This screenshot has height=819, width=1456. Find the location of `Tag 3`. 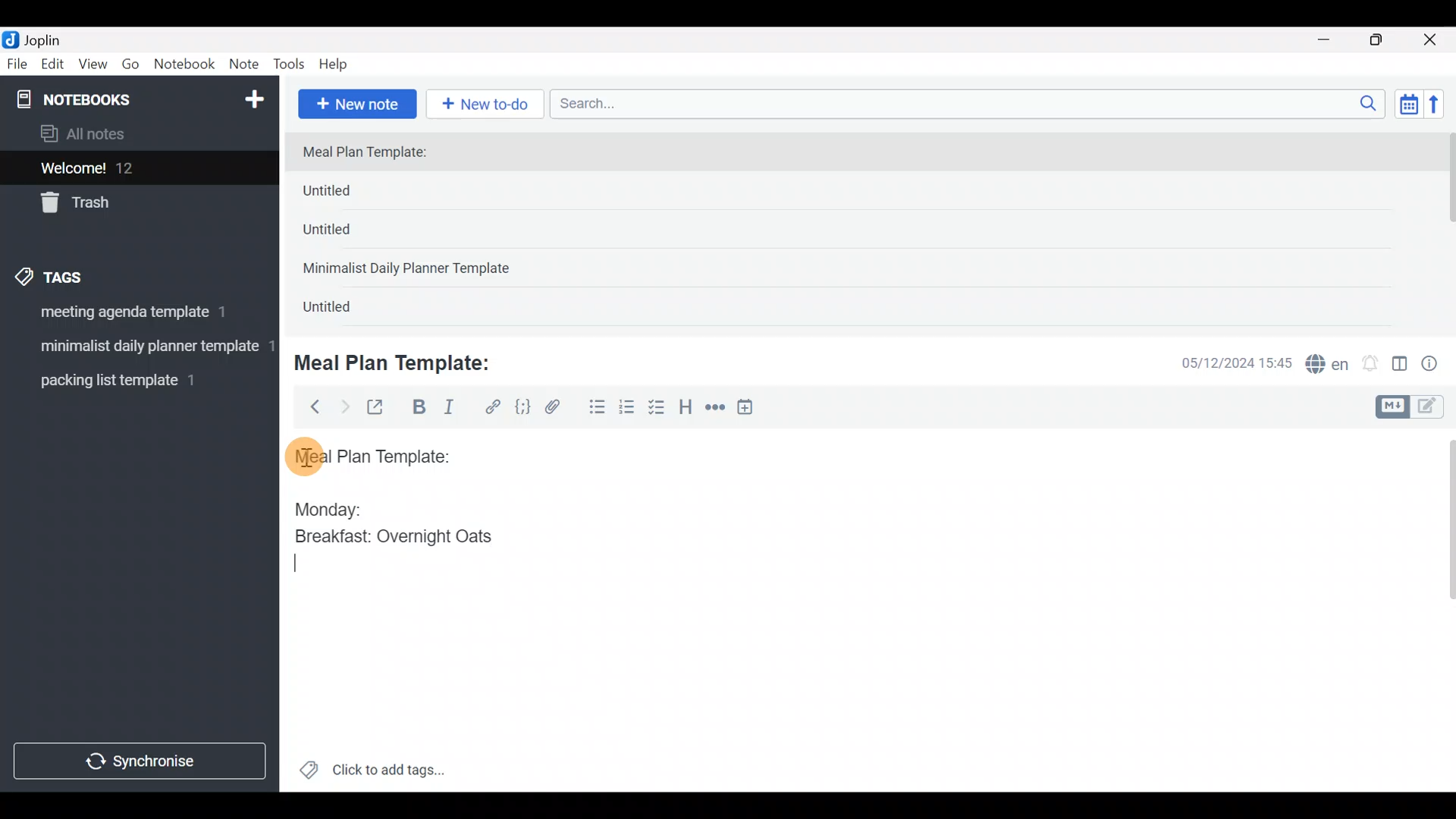

Tag 3 is located at coordinates (134, 380).